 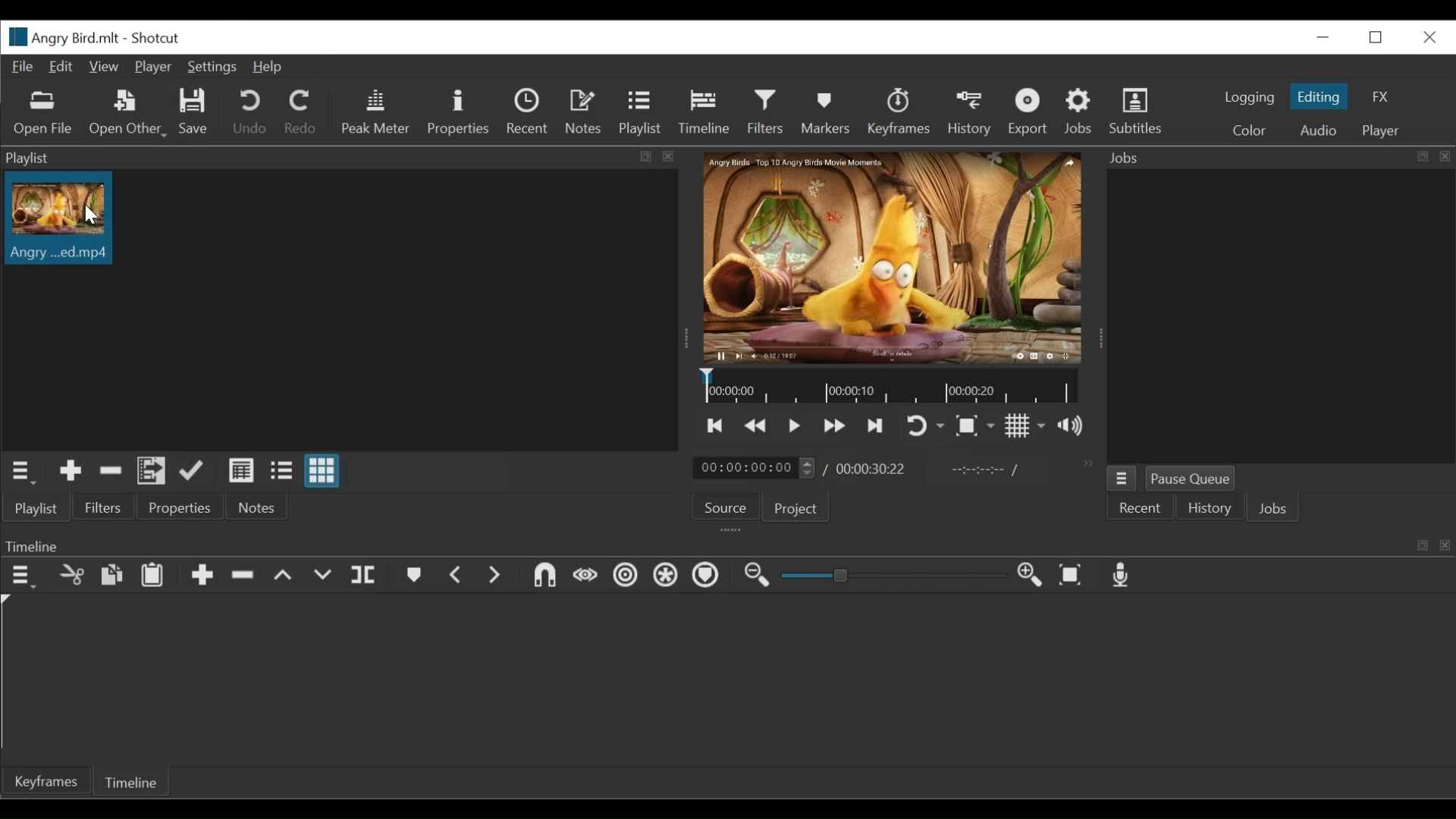 What do you see at coordinates (975, 427) in the screenshot?
I see `Toggle zoom` at bounding box center [975, 427].